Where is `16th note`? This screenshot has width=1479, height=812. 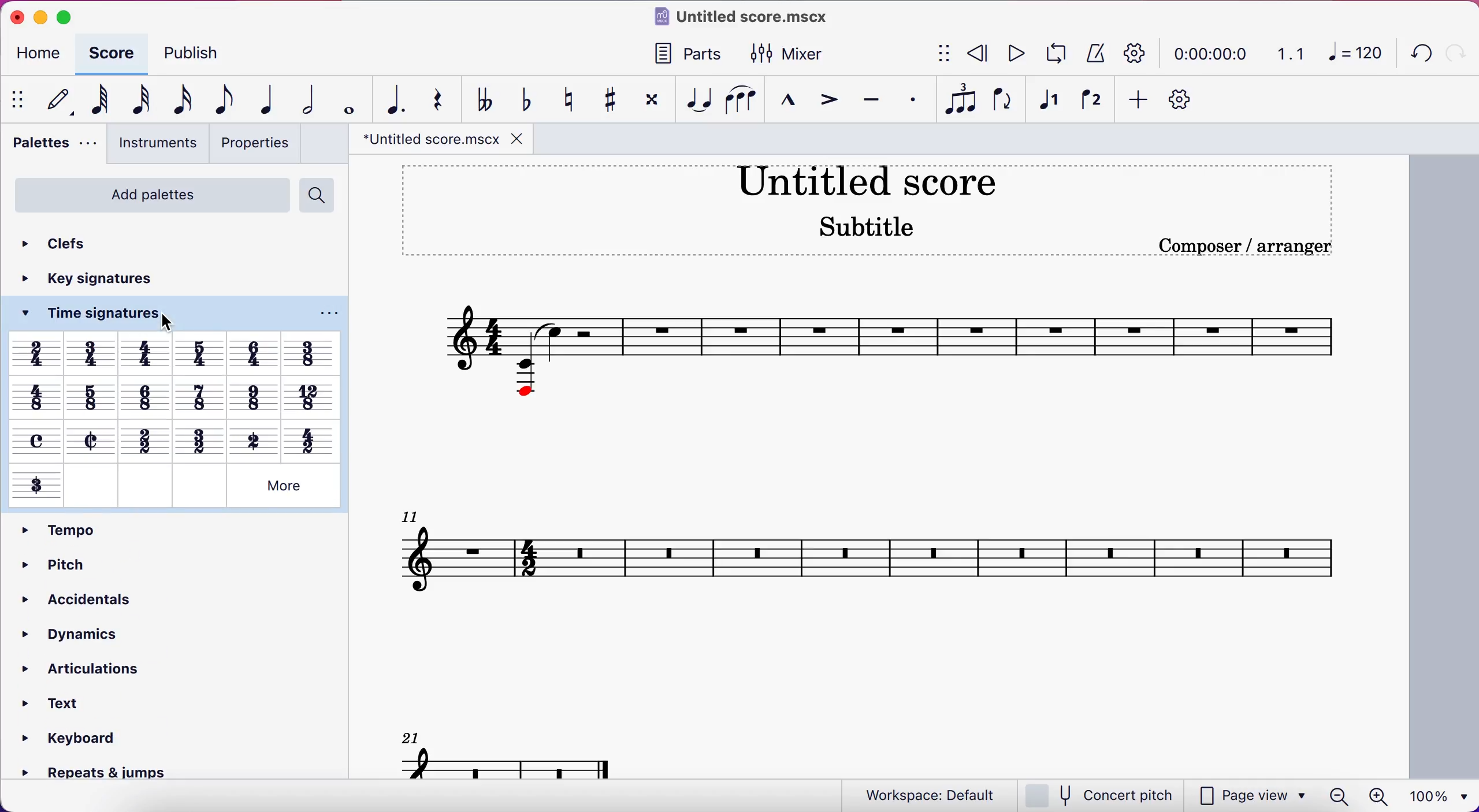 16th note is located at coordinates (179, 100).